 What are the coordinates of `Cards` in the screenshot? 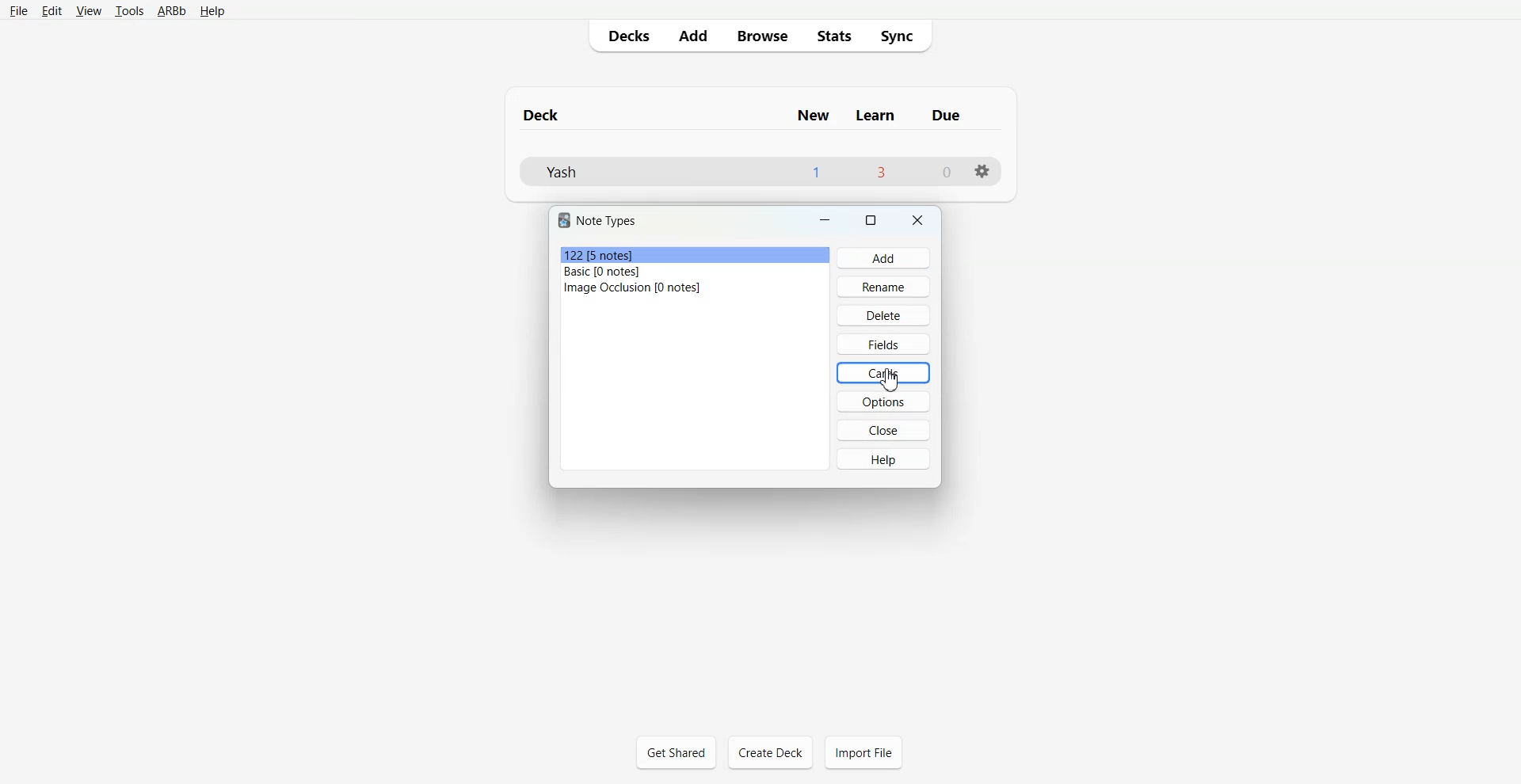 It's located at (884, 372).